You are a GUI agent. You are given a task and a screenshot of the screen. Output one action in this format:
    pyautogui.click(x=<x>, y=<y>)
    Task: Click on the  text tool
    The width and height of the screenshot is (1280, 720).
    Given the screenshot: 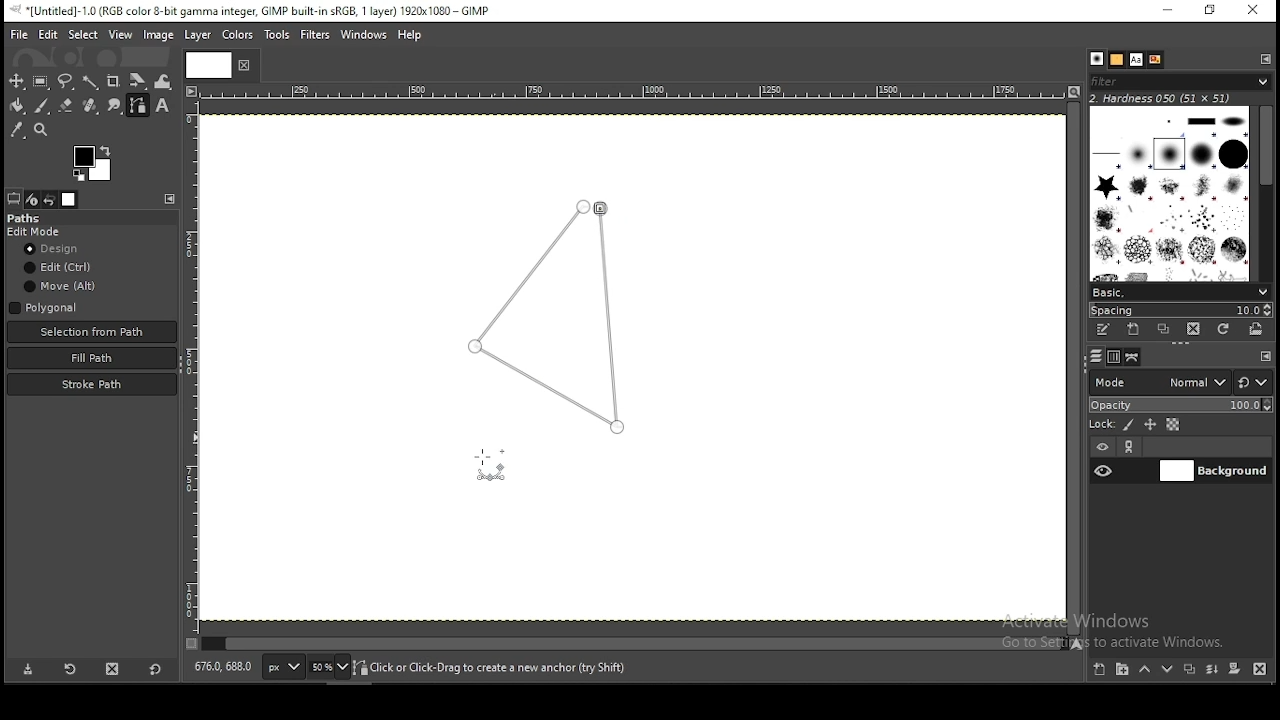 What is the action you would take?
    pyautogui.click(x=165, y=108)
    